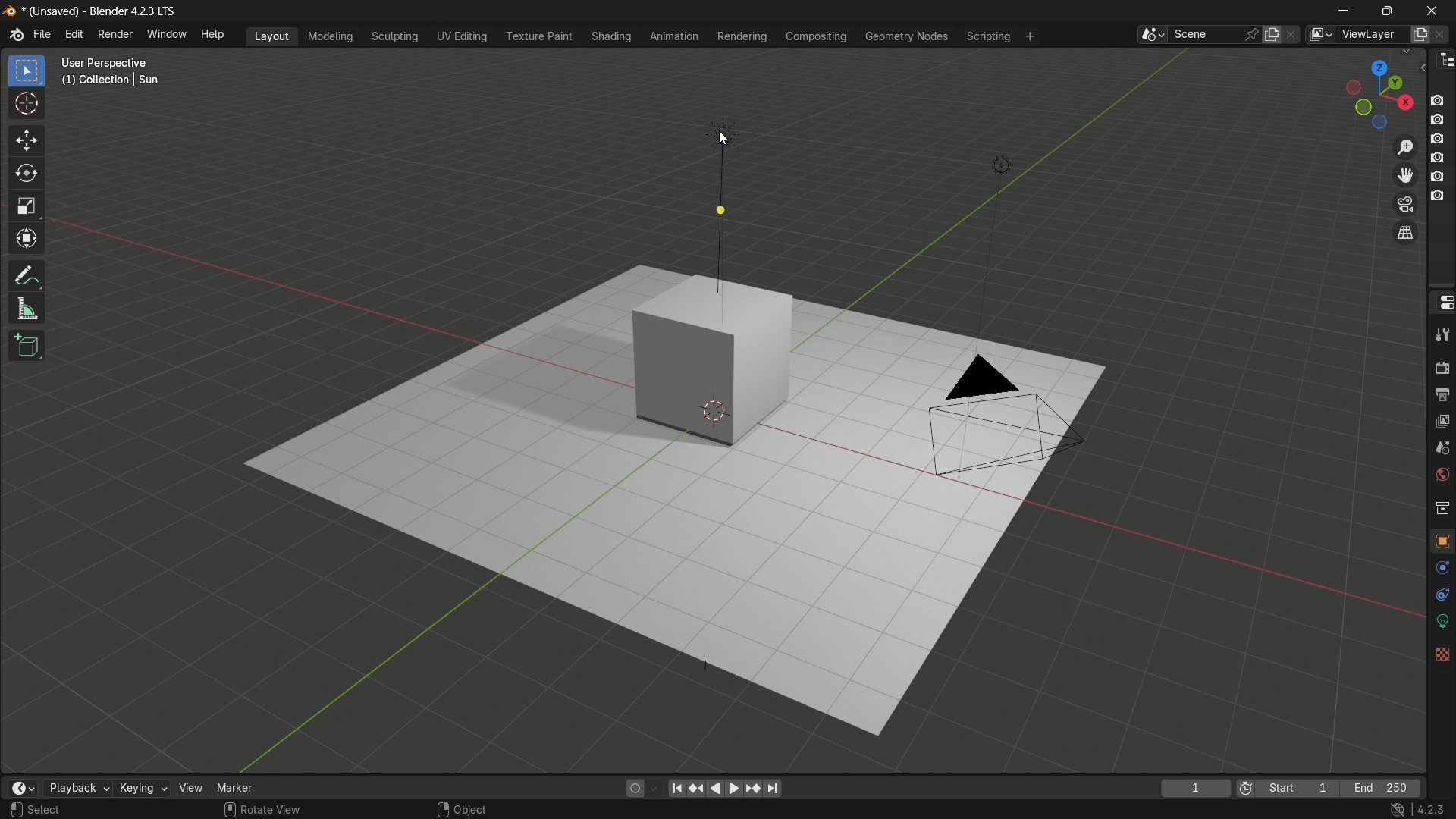 The width and height of the screenshot is (1456, 819). I want to click on render, so click(1442, 366).